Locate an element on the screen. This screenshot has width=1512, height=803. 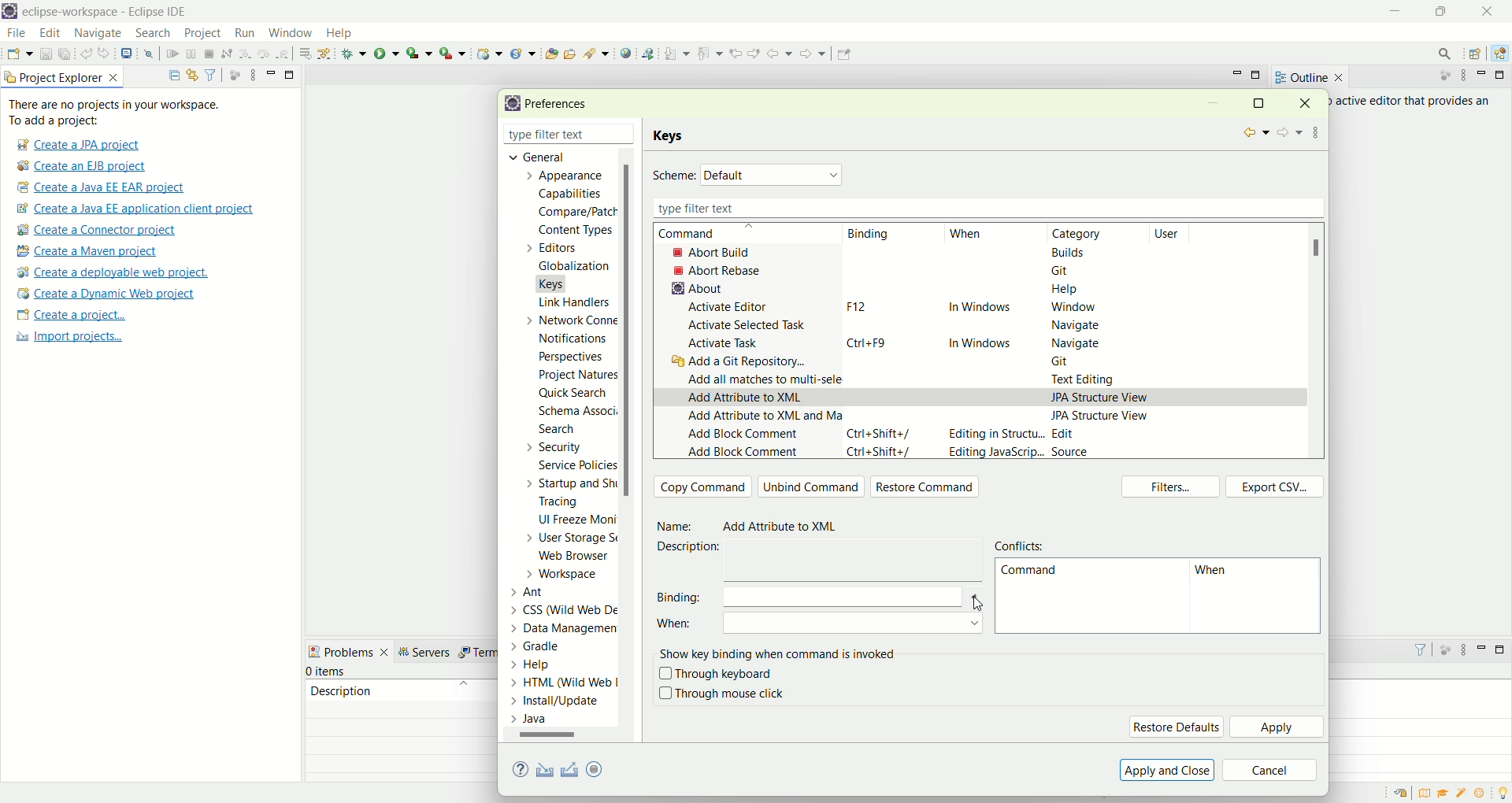
security is located at coordinates (550, 447).